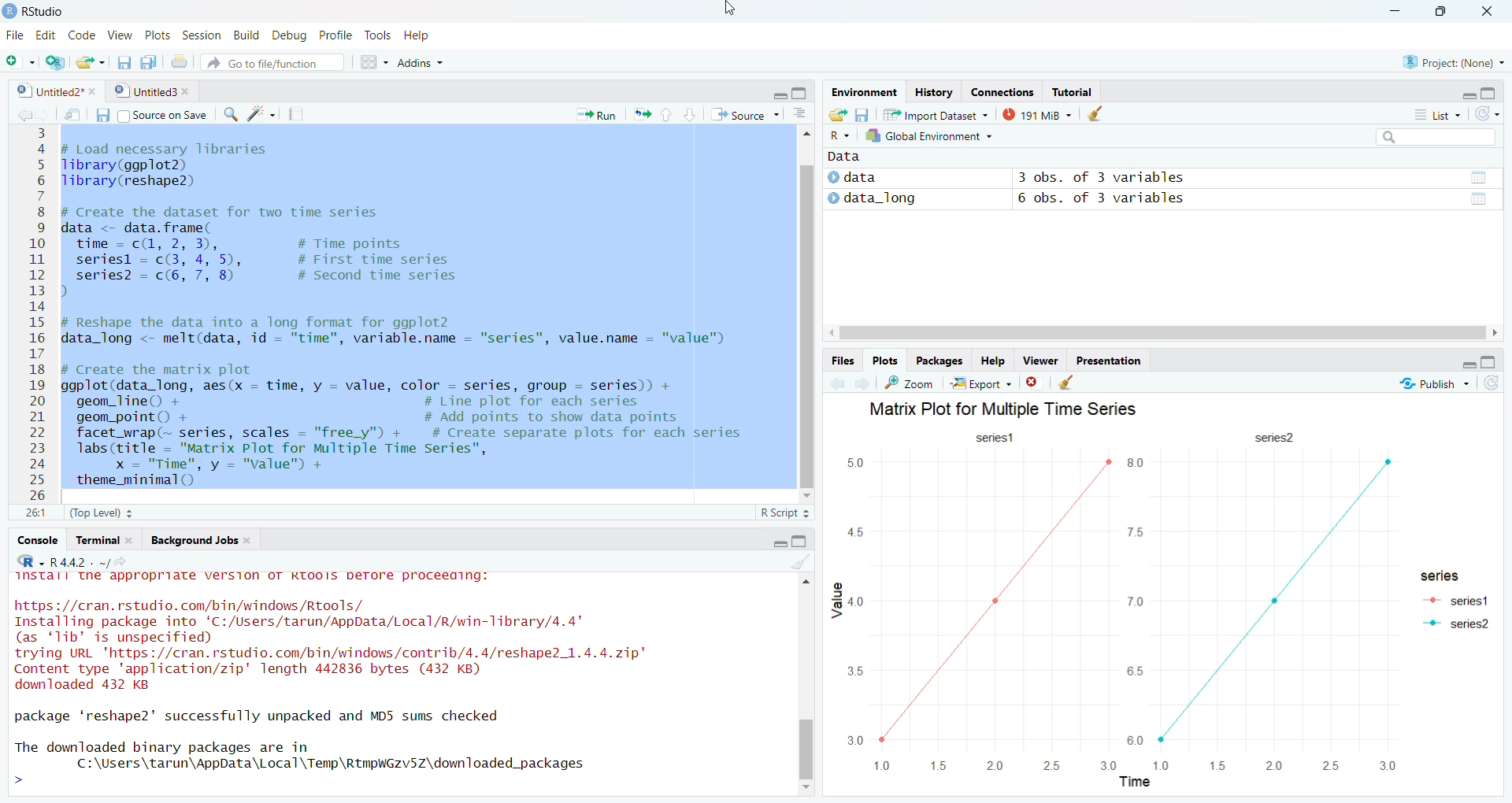 Image resolution: width=1512 pixels, height=803 pixels. What do you see at coordinates (642, 113) in the screenshot?
I see `re -run previoud code` at bounding box center [642, 113].